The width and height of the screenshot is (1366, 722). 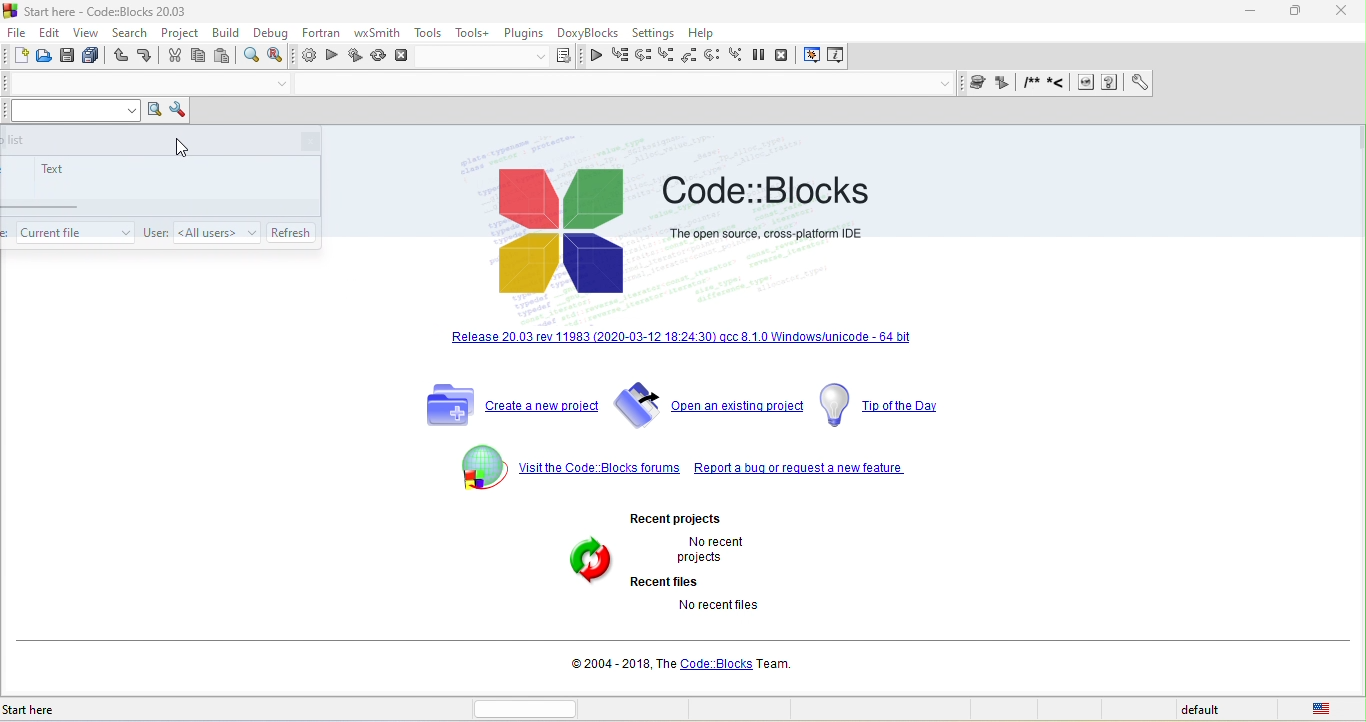 What do you see at coordinates (88, 33) in the screenshot?
I see `view` at bounding box center [88, 33].